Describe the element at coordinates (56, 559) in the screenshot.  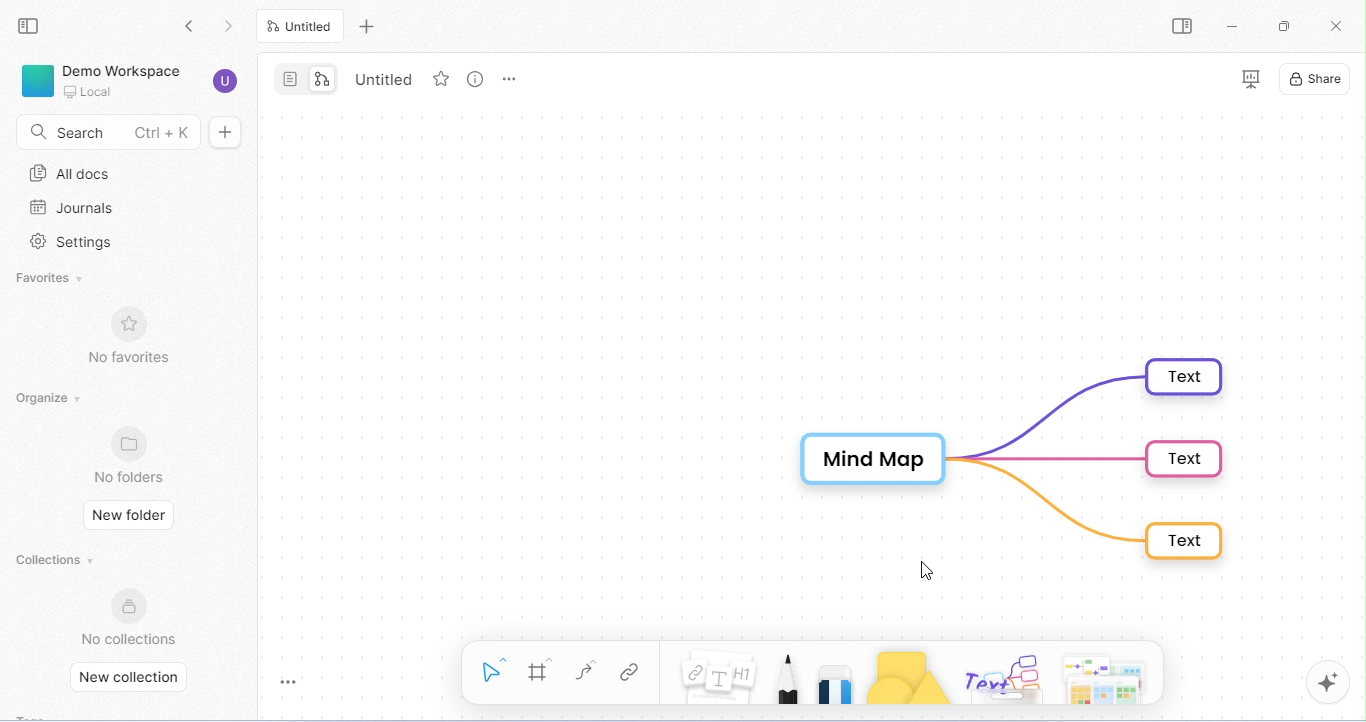
I see `collections` at that location.